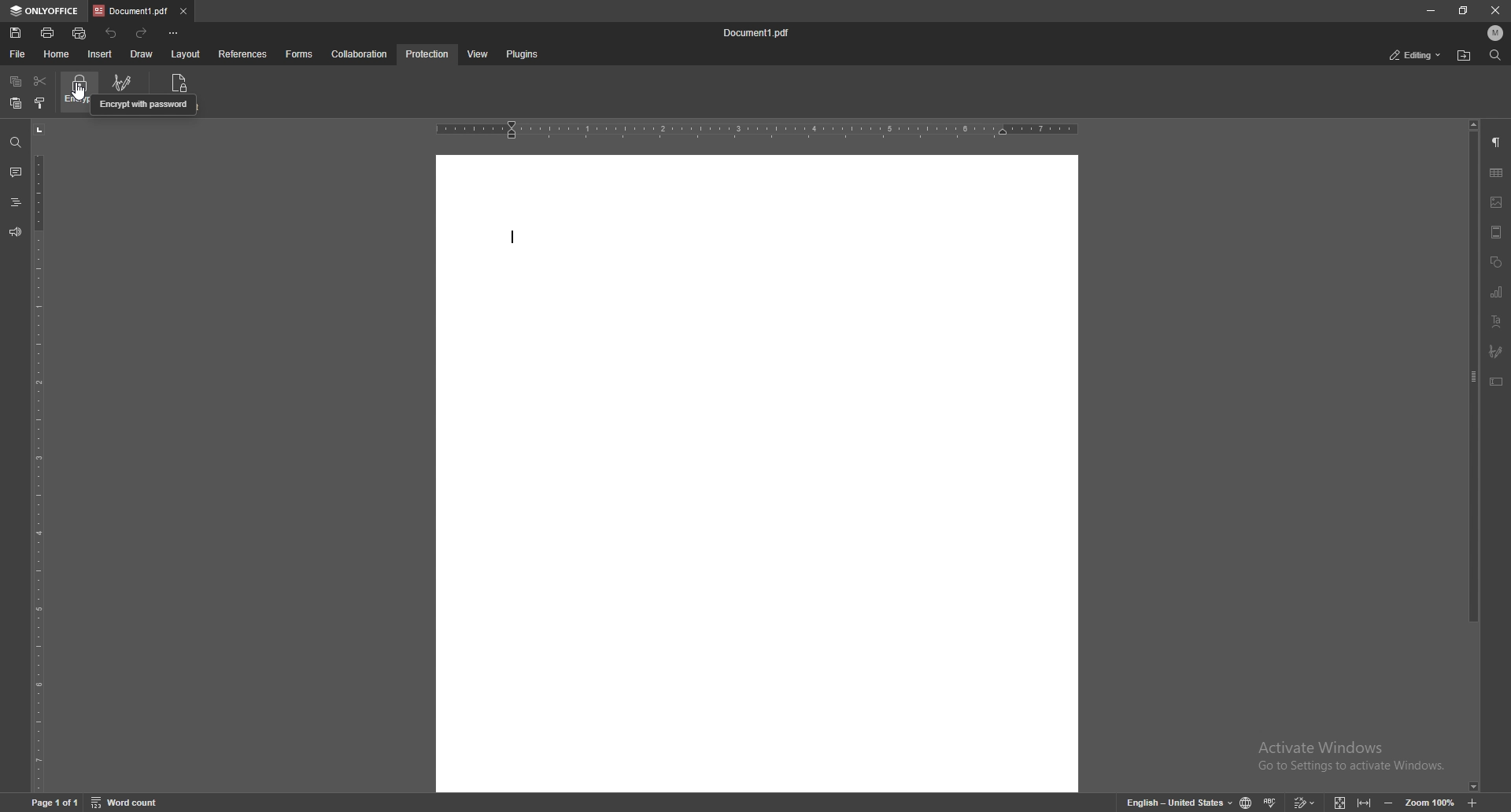 Image resolution: width=1511 pixels, height=812 pixels. I want to click on shapes, so click(1496, 262).